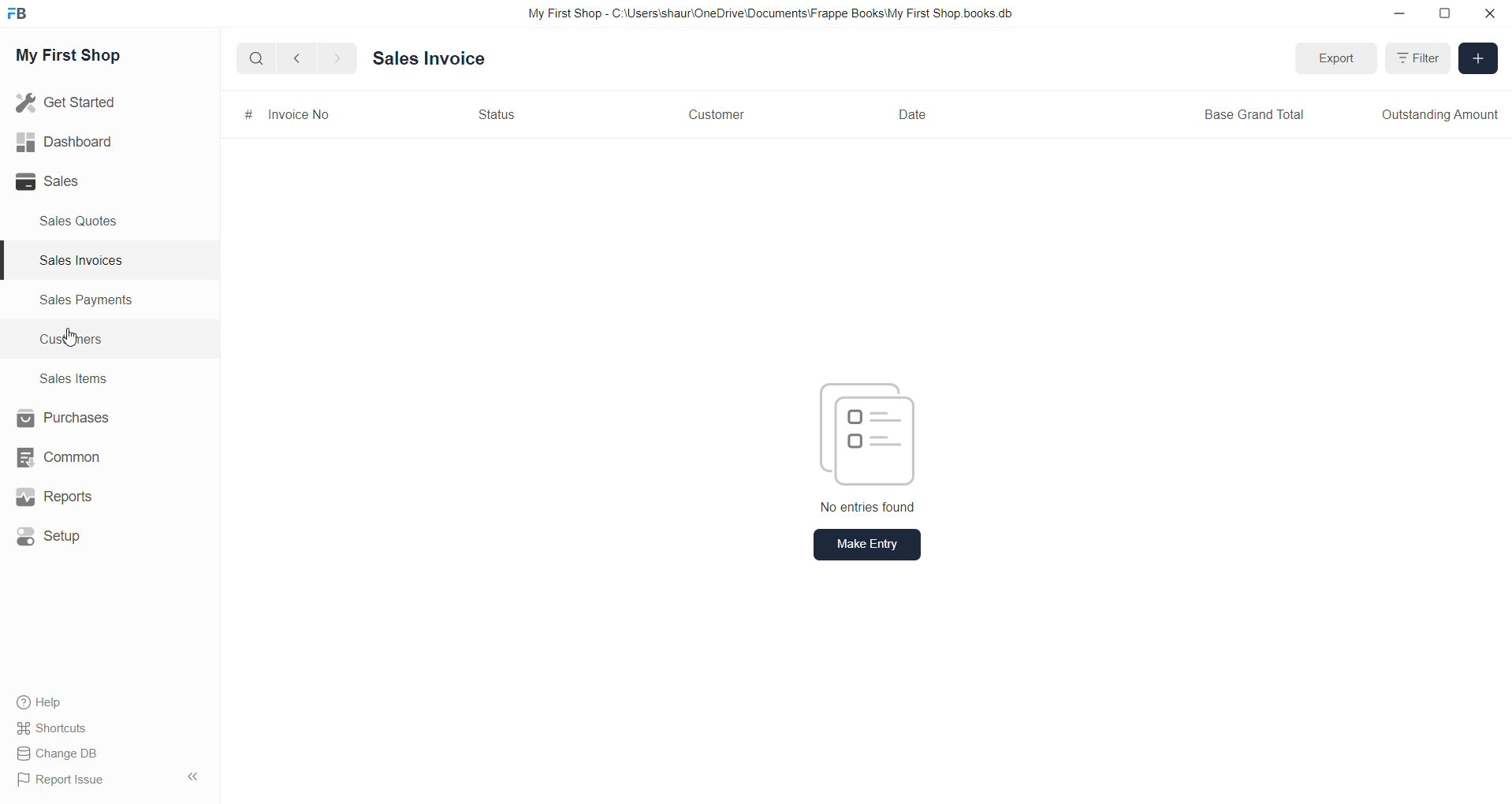 The width and height of the screenshot is (1512, 804). What do you see at coordinates (61, 753) in the screenshot?
I see ` Change DB` at bounding box center [61, 753].